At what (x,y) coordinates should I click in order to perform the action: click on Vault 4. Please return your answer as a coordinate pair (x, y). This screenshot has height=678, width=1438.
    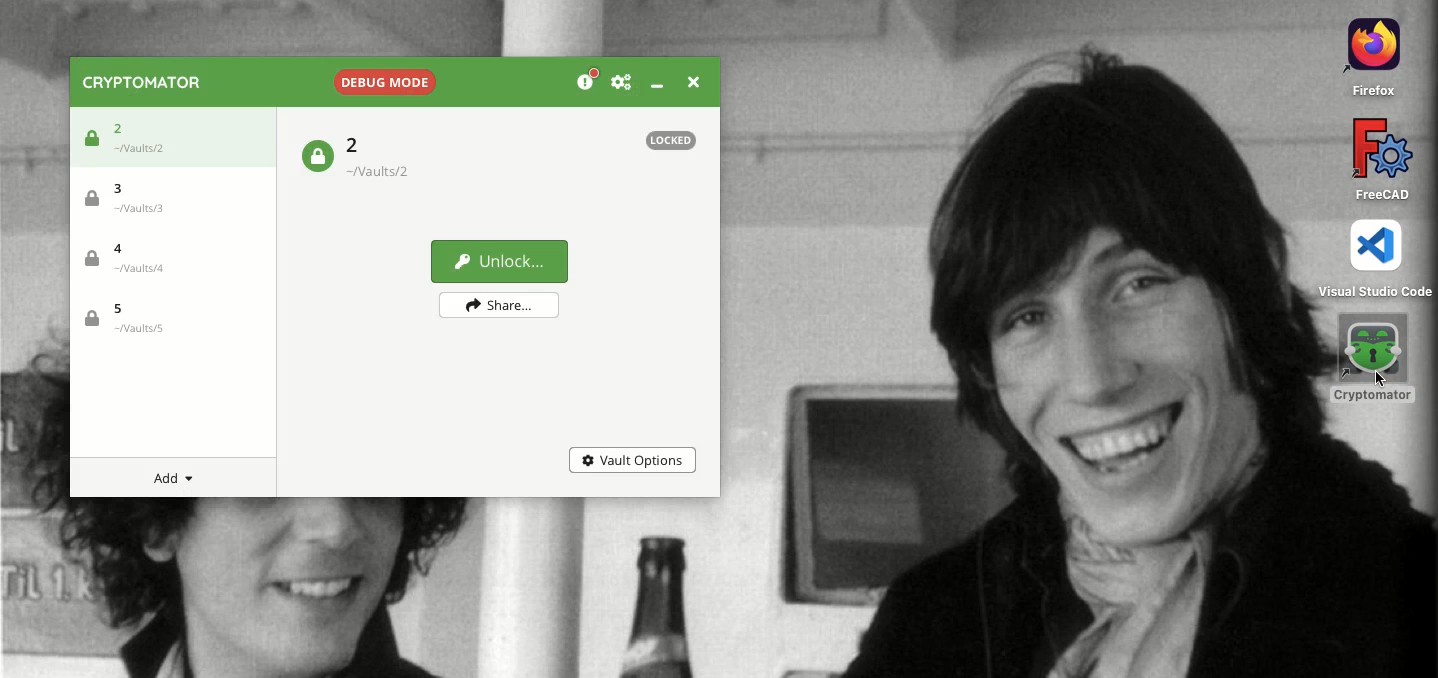
    Looking at the image, I should click on (166, 260).